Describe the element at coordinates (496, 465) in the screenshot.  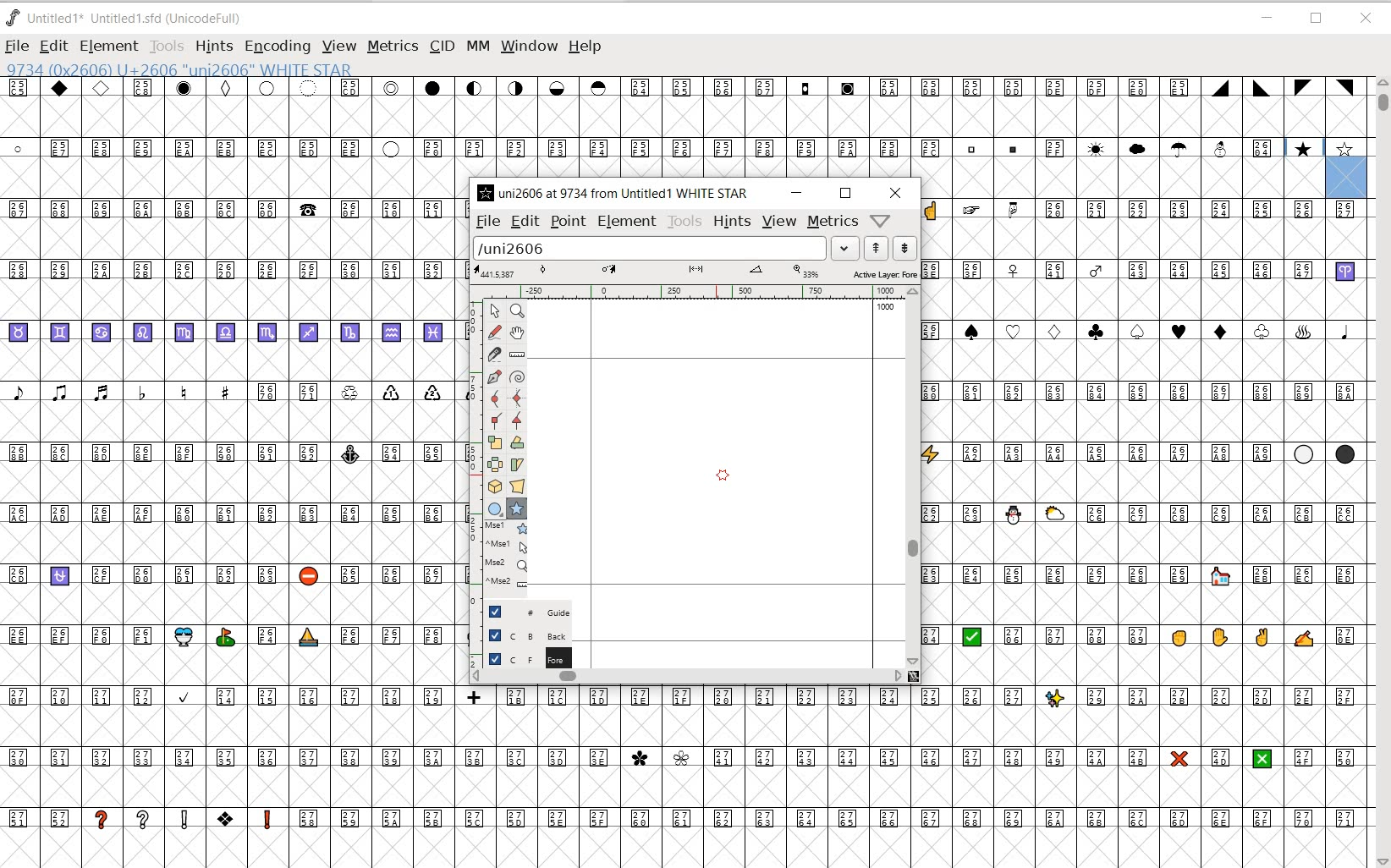
I see `FLIP THE SELECTION` at that location.